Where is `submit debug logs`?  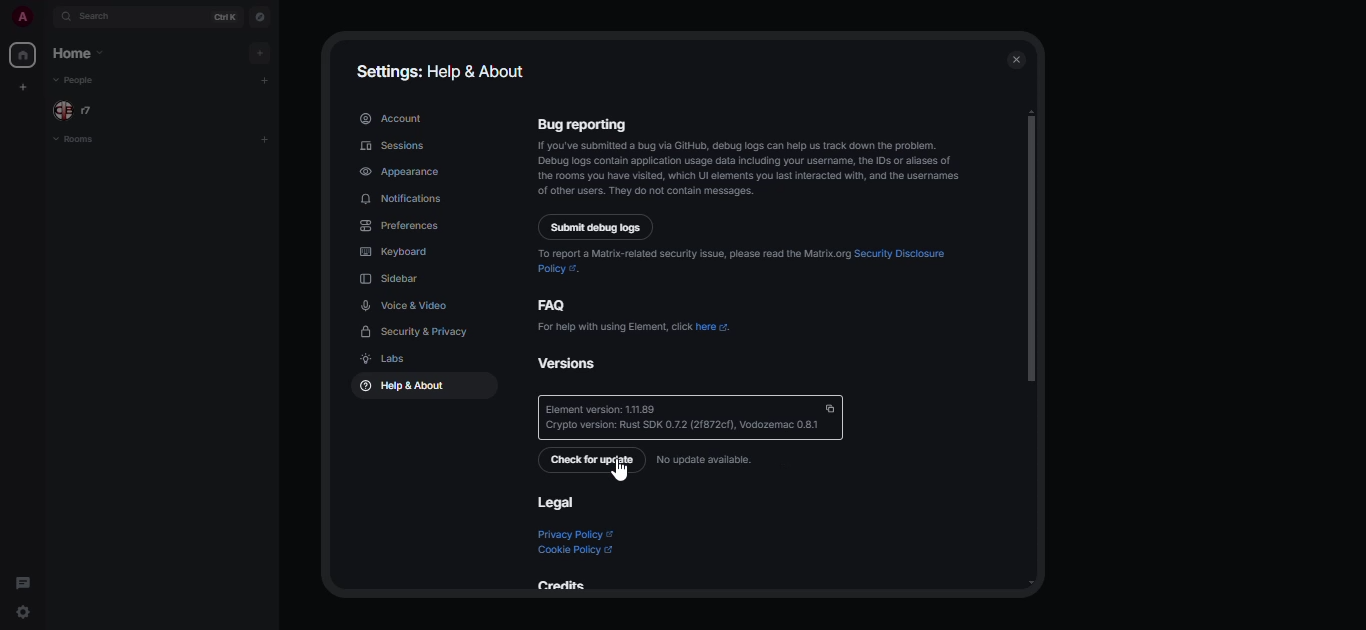 submit debug logs is located at coordinates (597, 227).